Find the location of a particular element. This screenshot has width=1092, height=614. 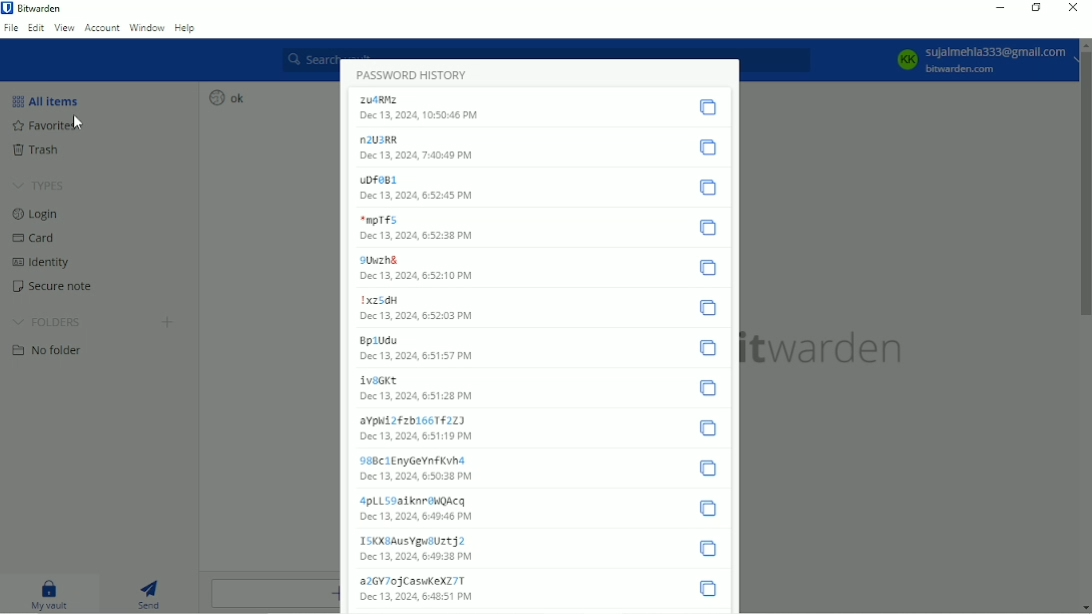

Copy password is located at coordinates (710, 507).